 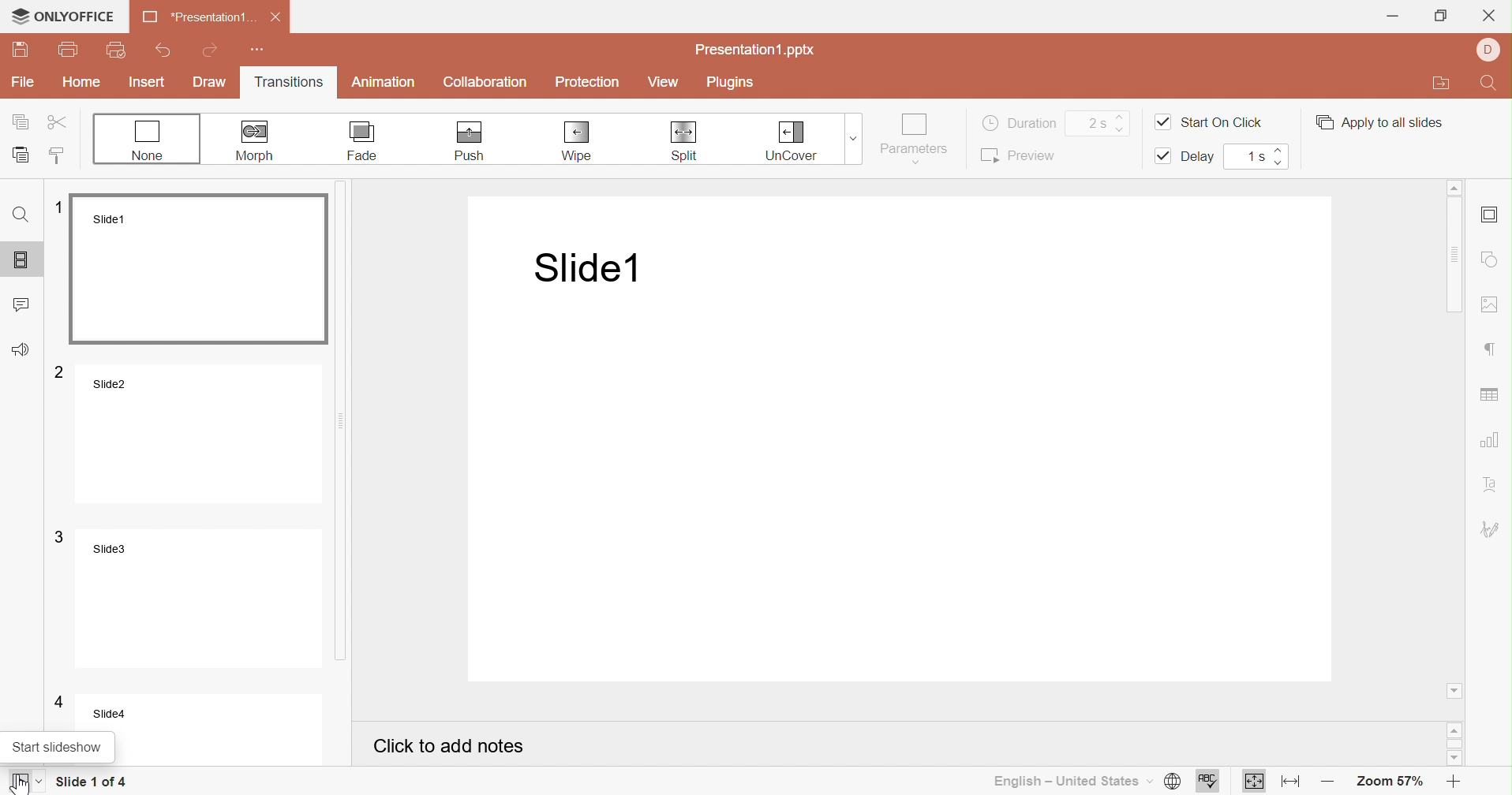 I want to click on File, so click(x=25, y=82).